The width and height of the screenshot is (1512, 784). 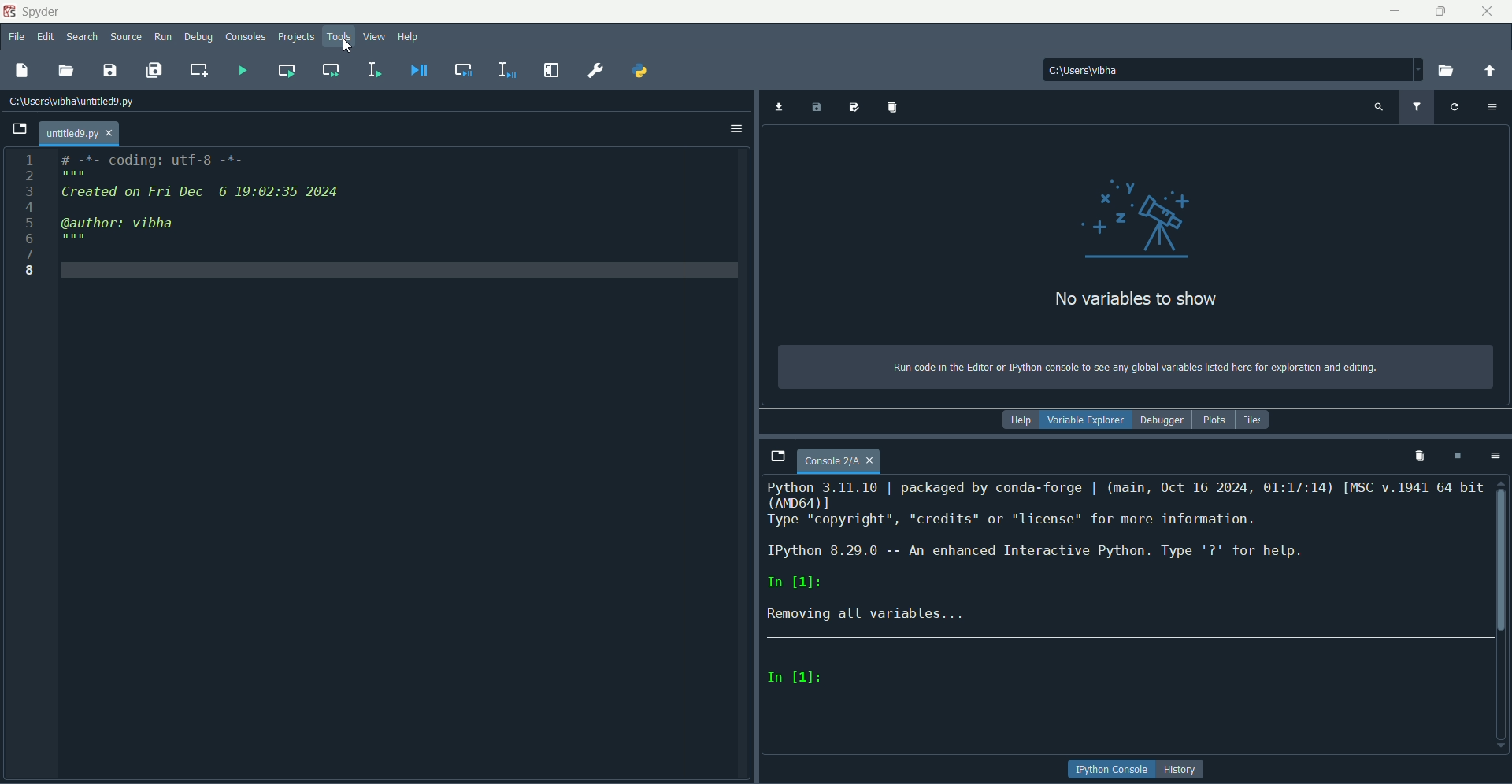 I want to click on change directory, so click(x=1489, y=71).